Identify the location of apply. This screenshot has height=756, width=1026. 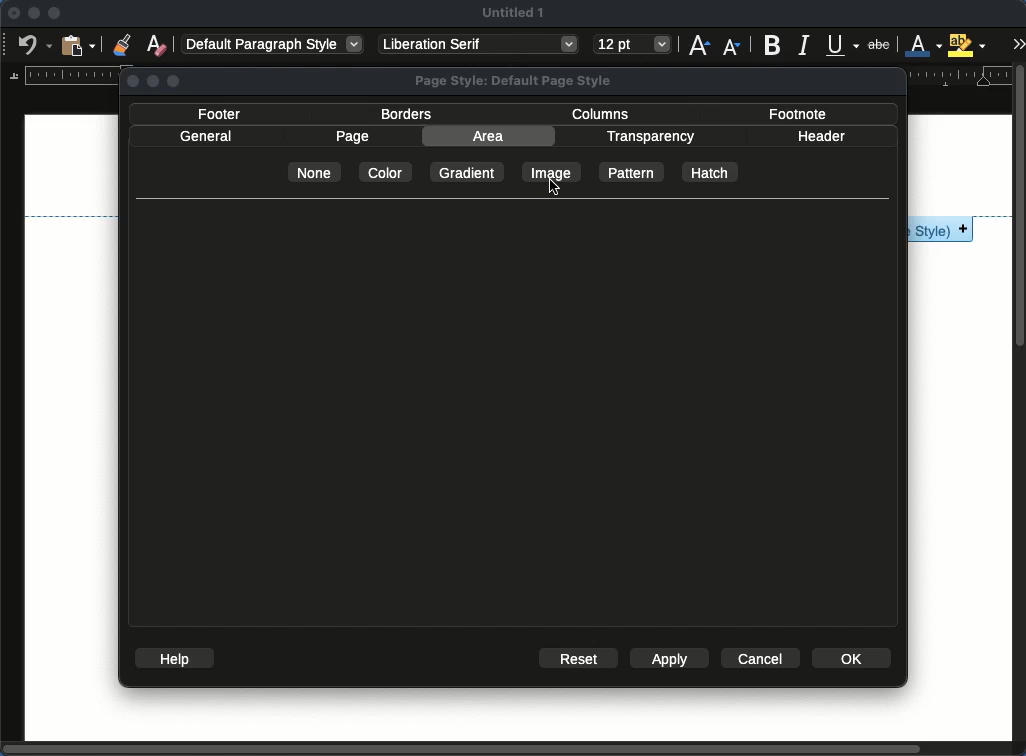
(672, 658).